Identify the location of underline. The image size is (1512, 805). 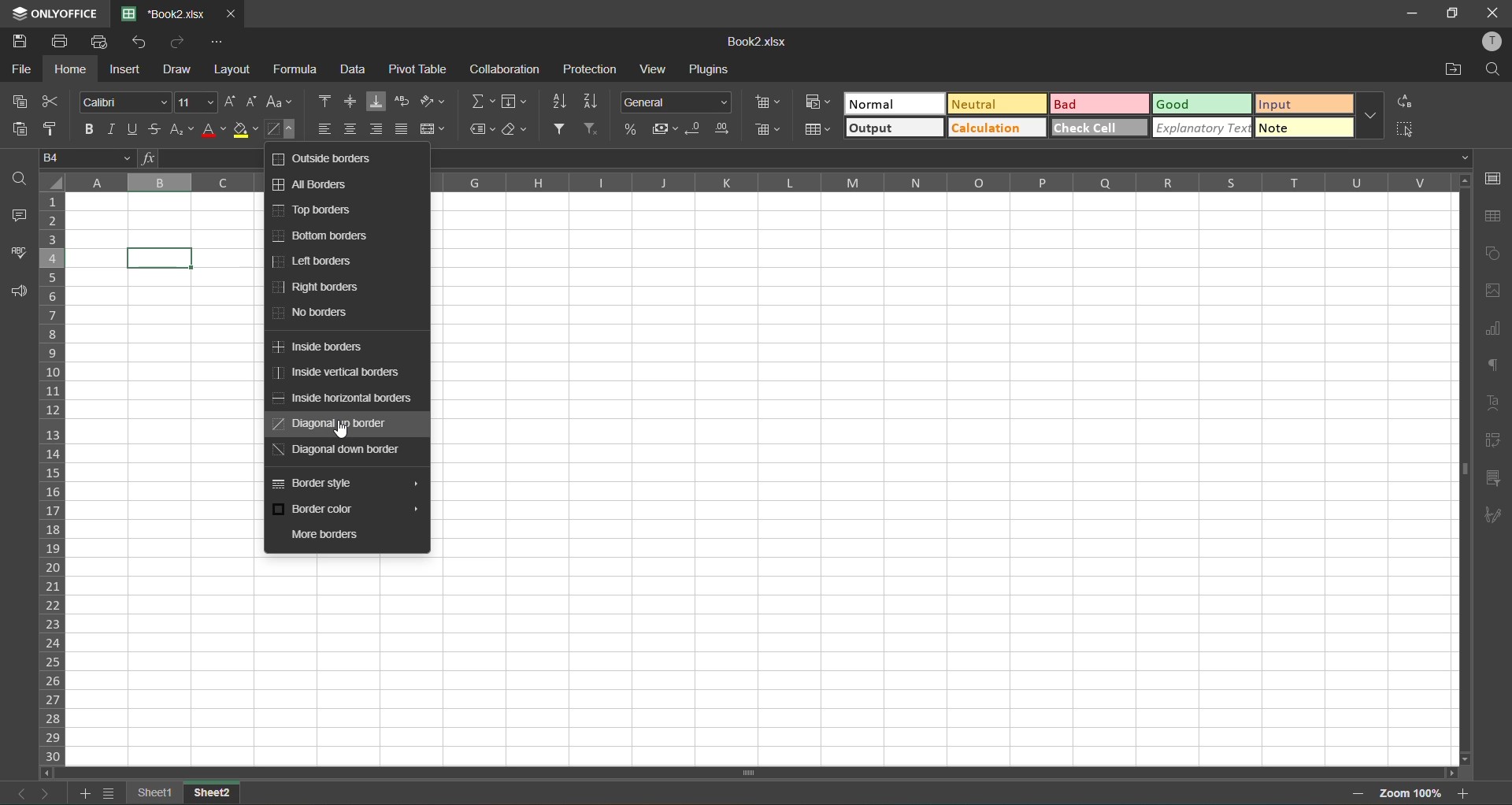
(132, 128).